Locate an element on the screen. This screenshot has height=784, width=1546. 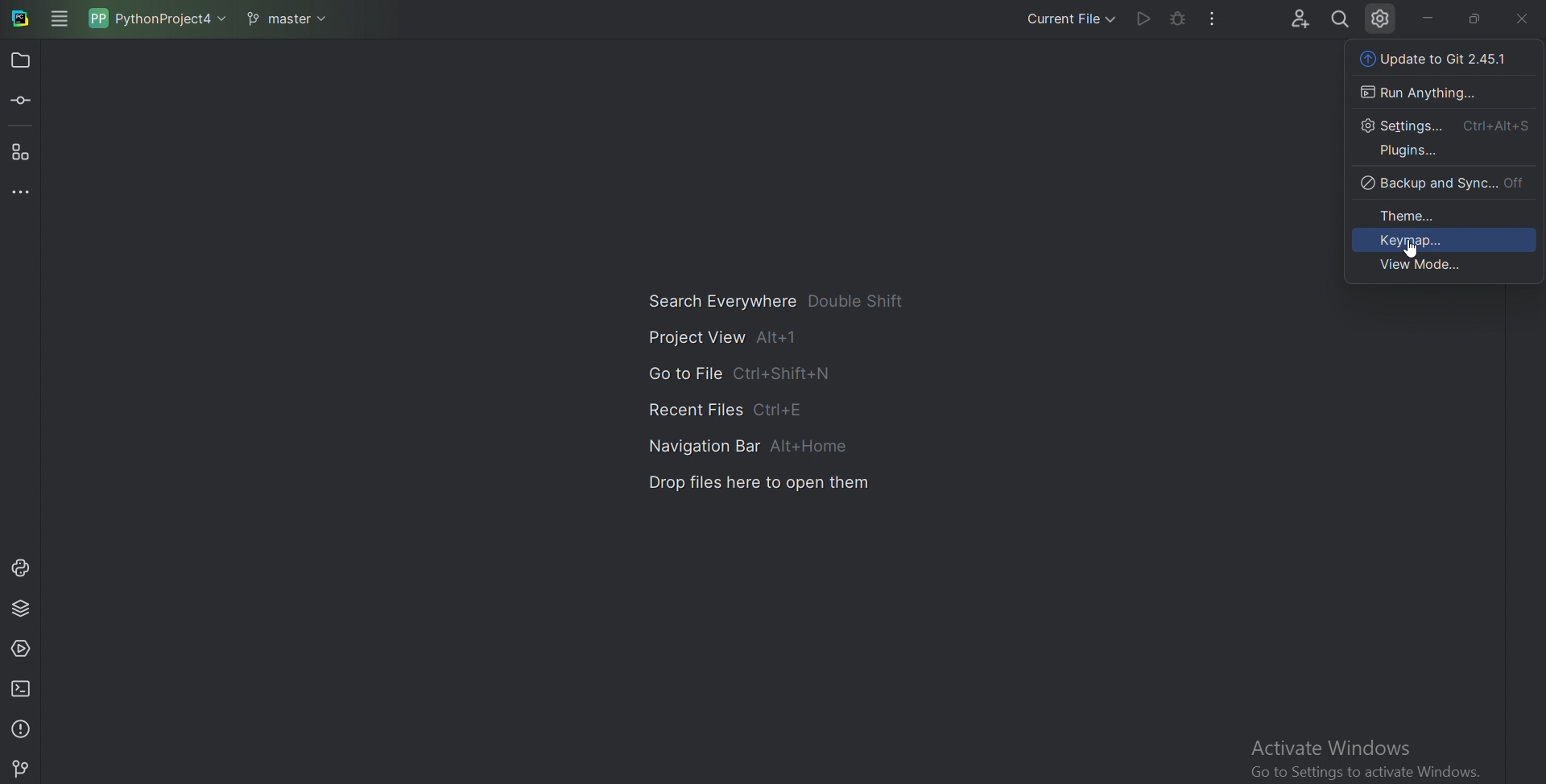
Run is located at coordinates (1143, 17).